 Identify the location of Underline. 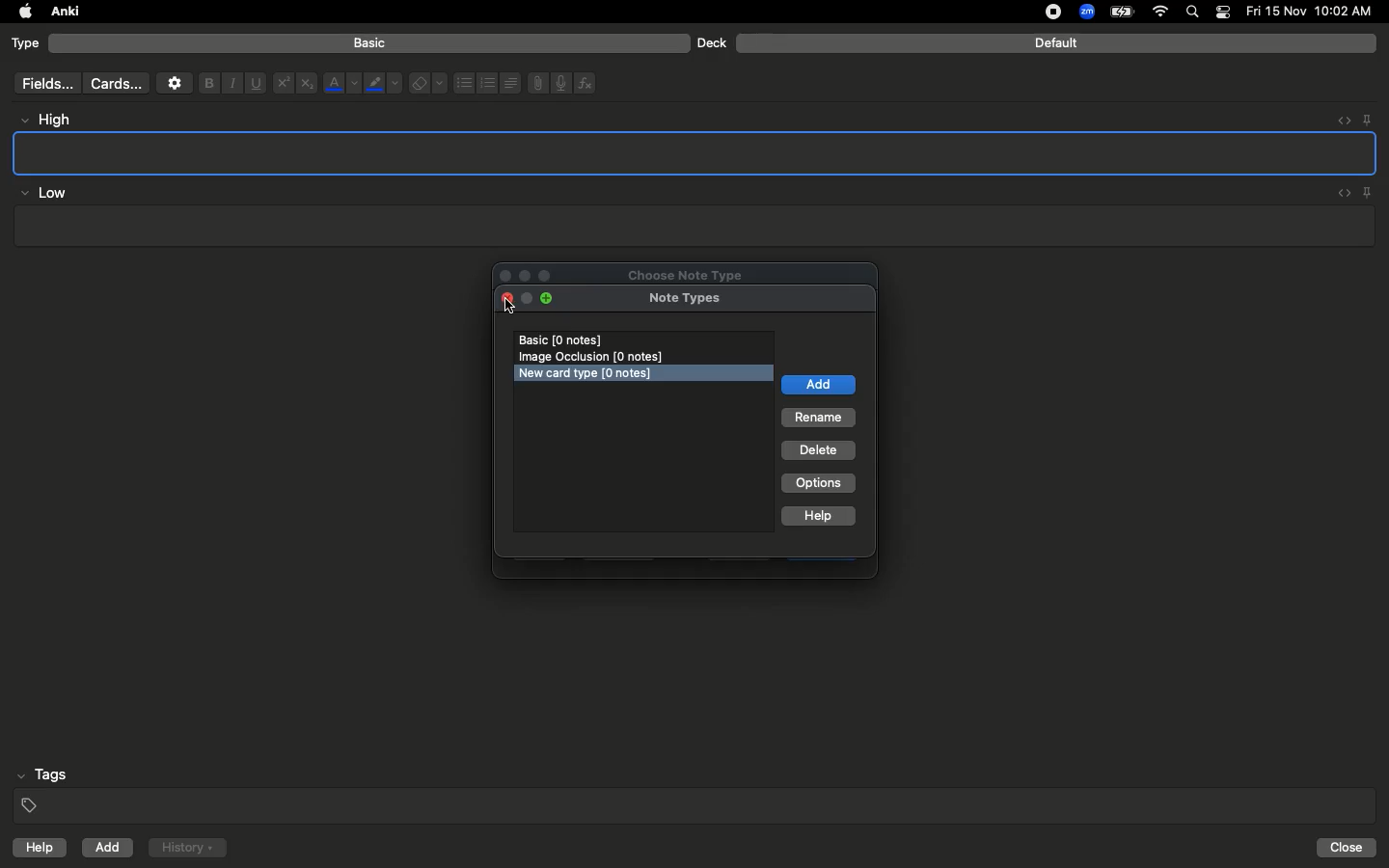
(255, 84).